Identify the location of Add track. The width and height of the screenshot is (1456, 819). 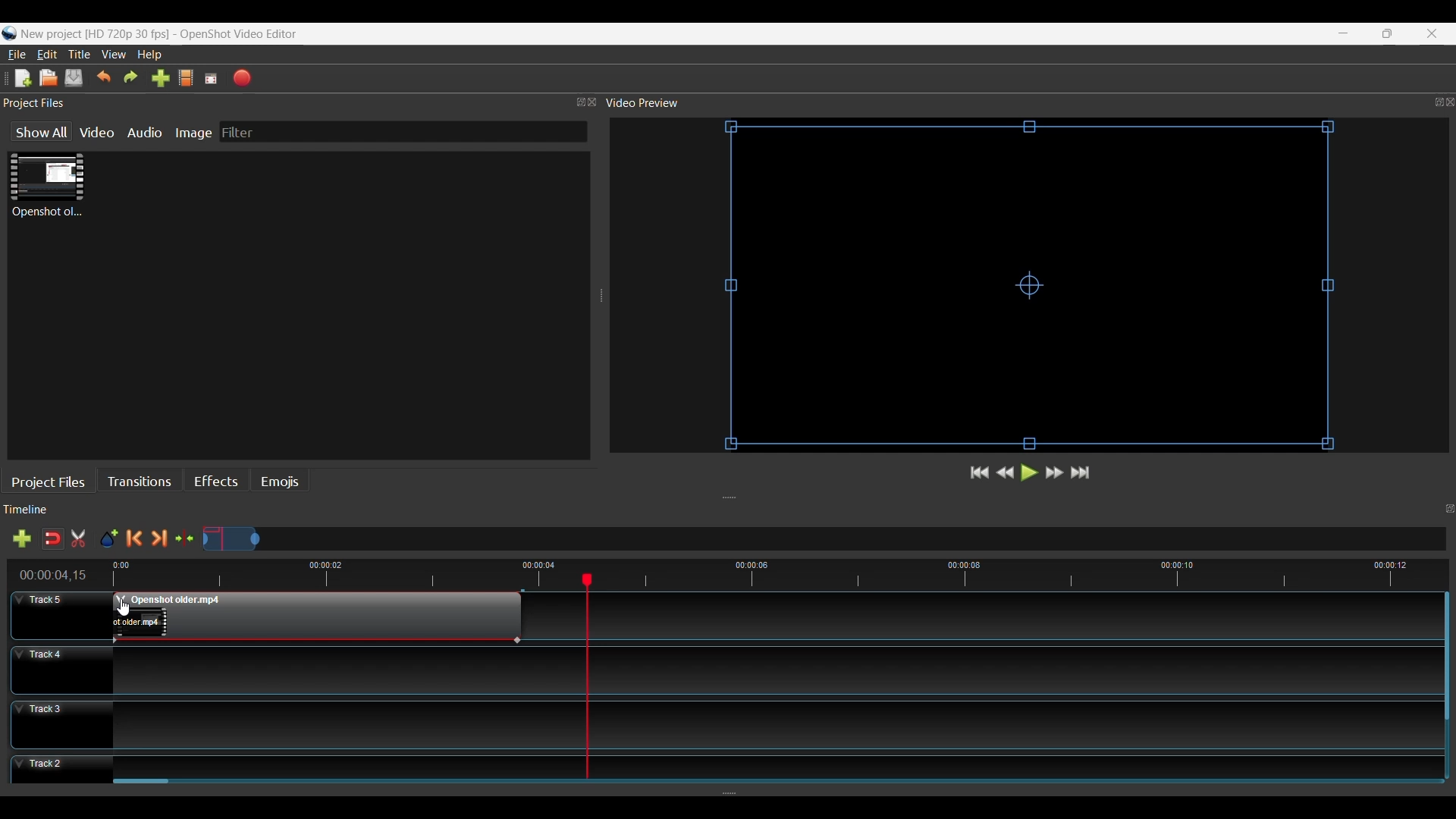
(19, 540).